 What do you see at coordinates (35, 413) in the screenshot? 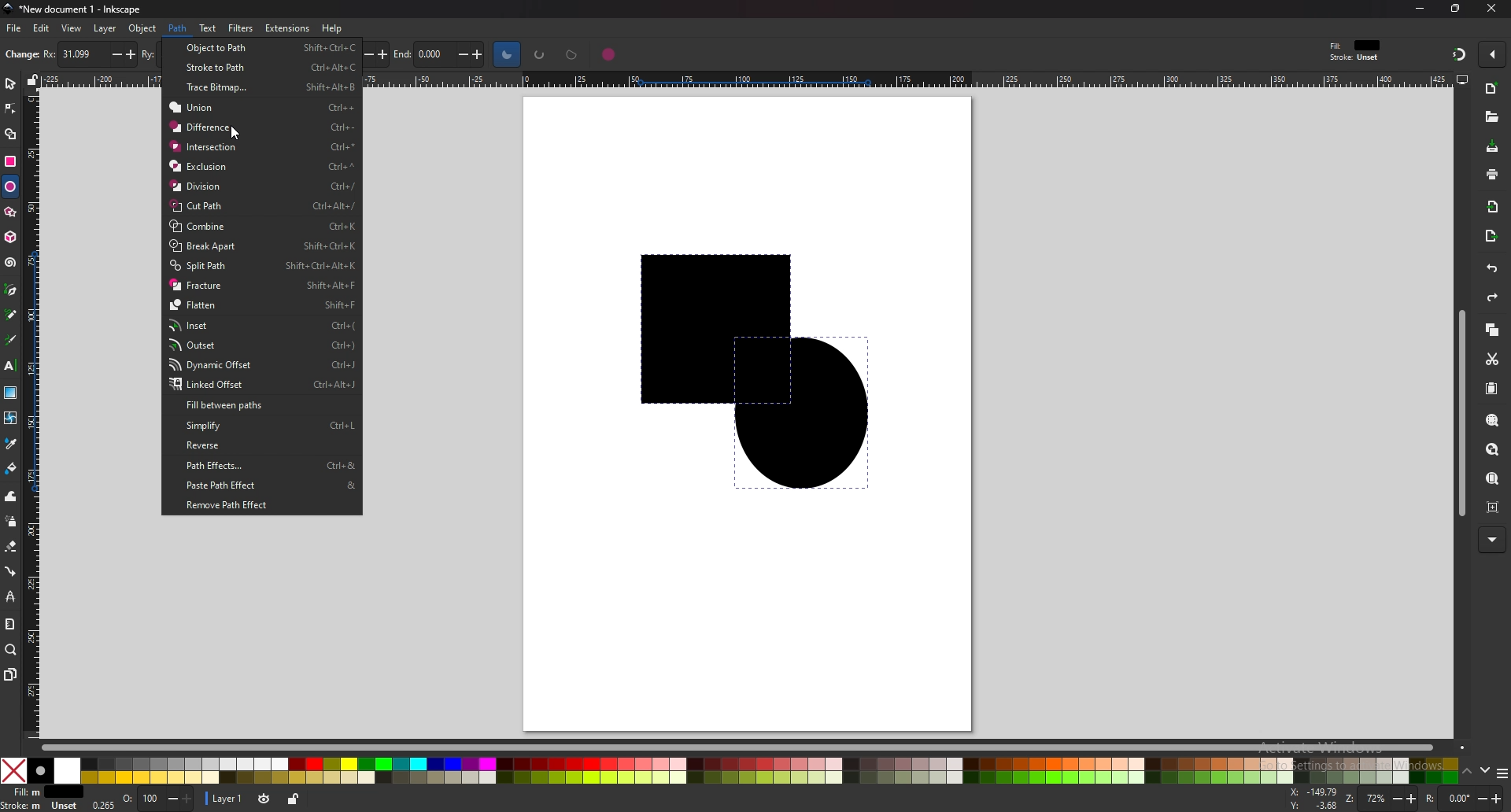
I see `vertical ruler` at bounding box center [35, 413].